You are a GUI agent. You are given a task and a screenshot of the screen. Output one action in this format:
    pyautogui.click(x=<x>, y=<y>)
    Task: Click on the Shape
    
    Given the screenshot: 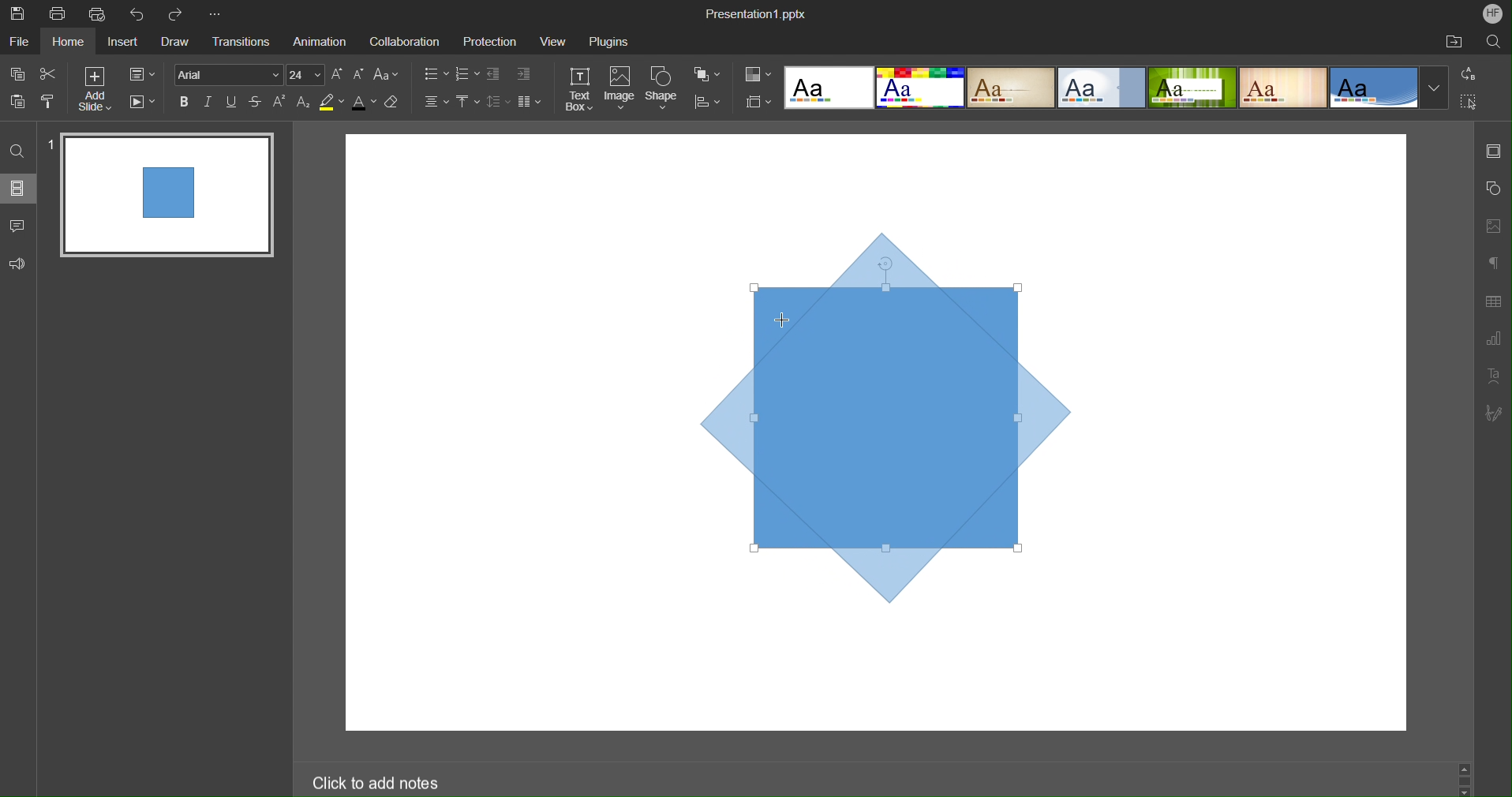 What is the action you would take?
    pyautogui.click(x=663, y=88)
    